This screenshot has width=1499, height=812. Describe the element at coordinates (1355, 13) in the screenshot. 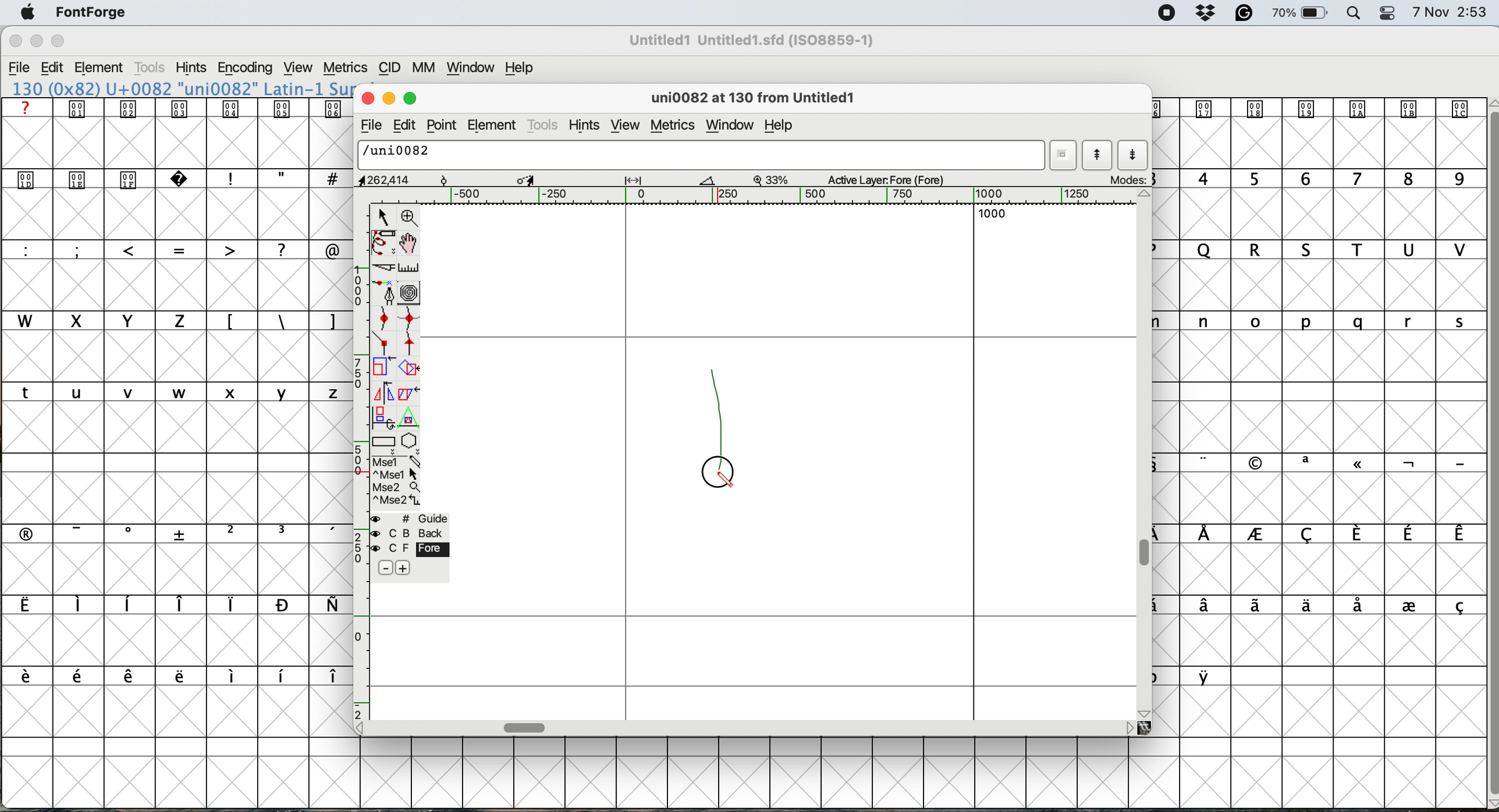

I see `spotlight search` at that location.